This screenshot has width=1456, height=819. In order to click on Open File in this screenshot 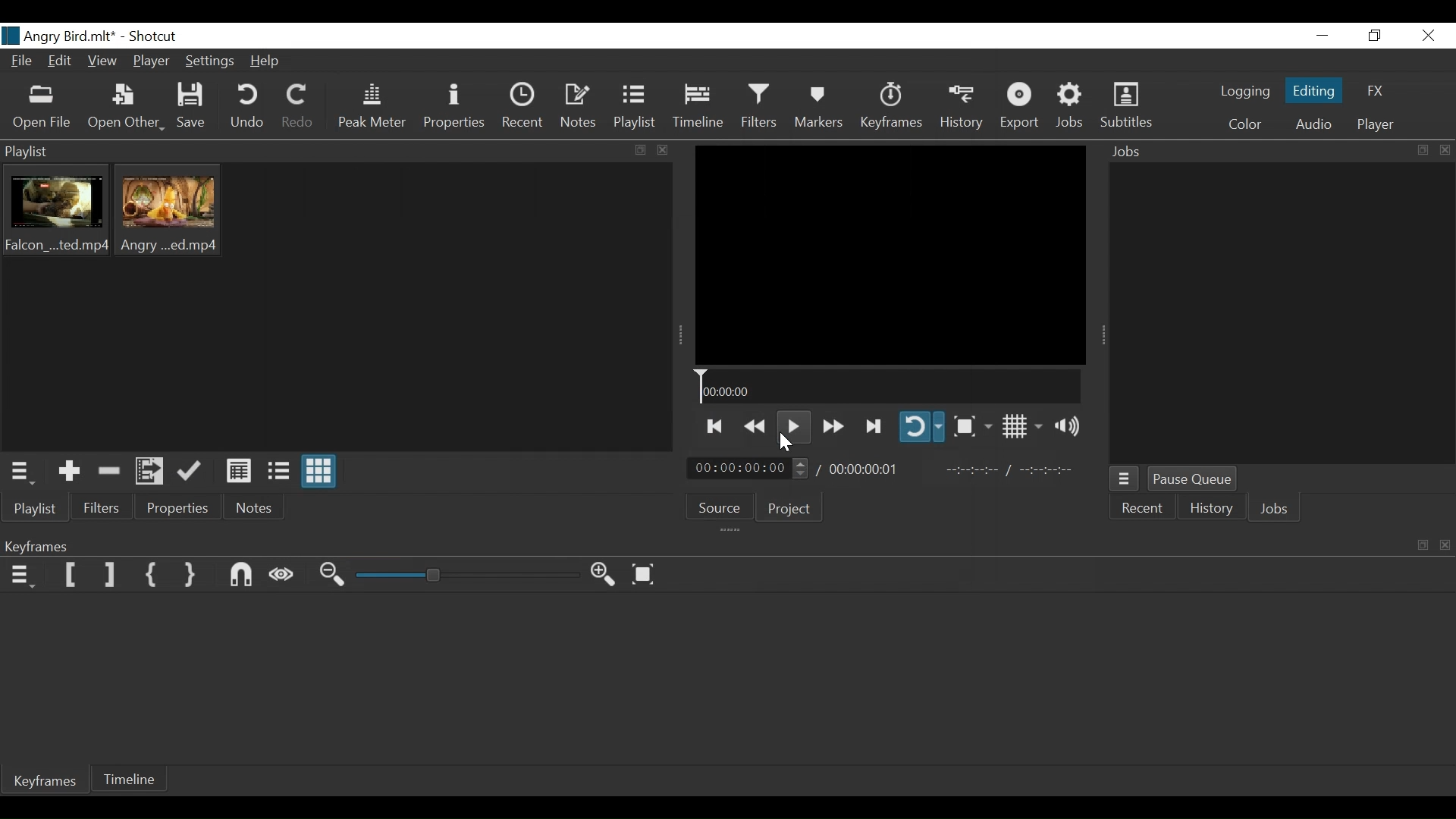, I will do `click(45, 110)`.